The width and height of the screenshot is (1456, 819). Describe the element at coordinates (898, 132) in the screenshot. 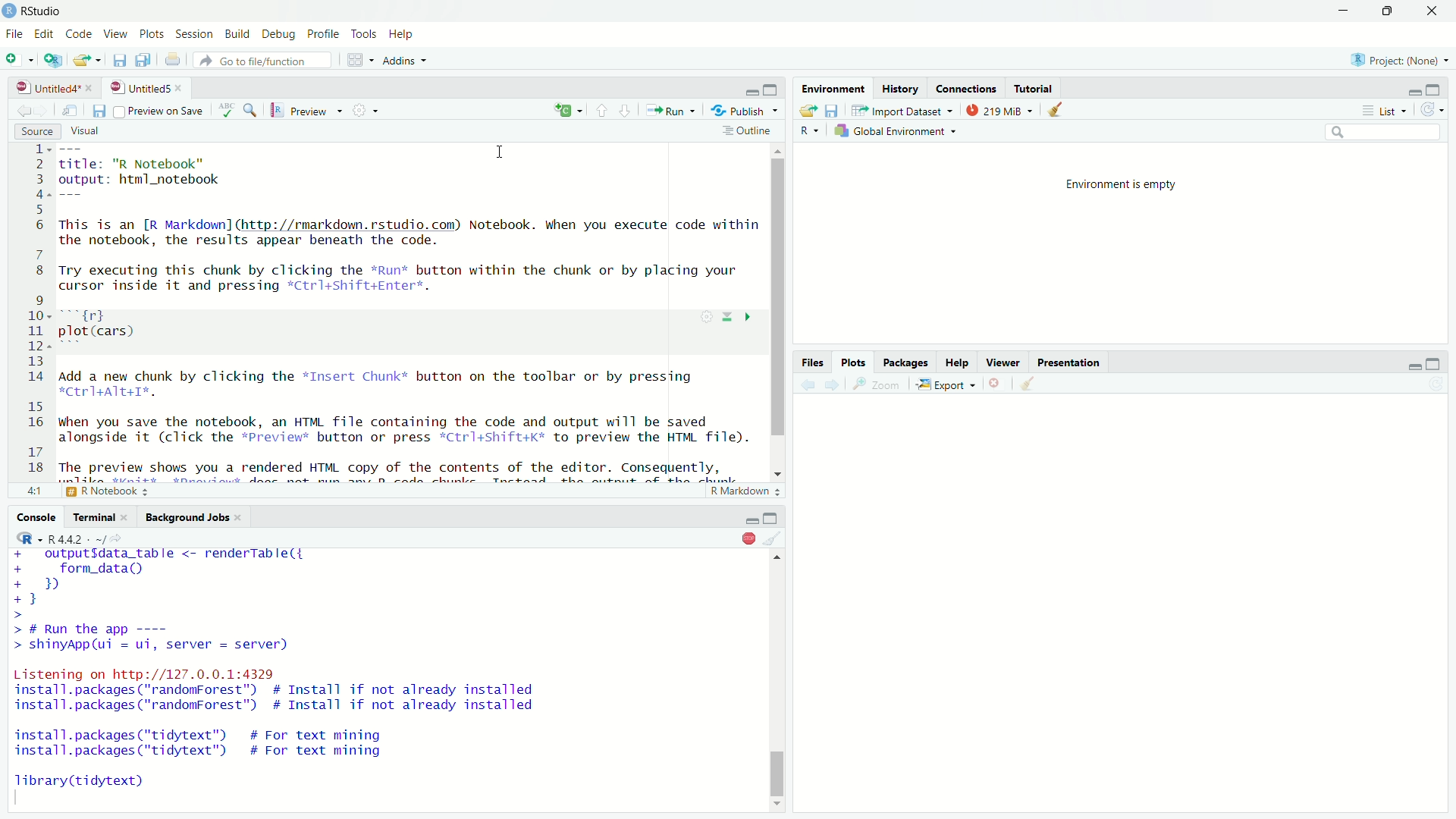

I see `global environment` at that location.